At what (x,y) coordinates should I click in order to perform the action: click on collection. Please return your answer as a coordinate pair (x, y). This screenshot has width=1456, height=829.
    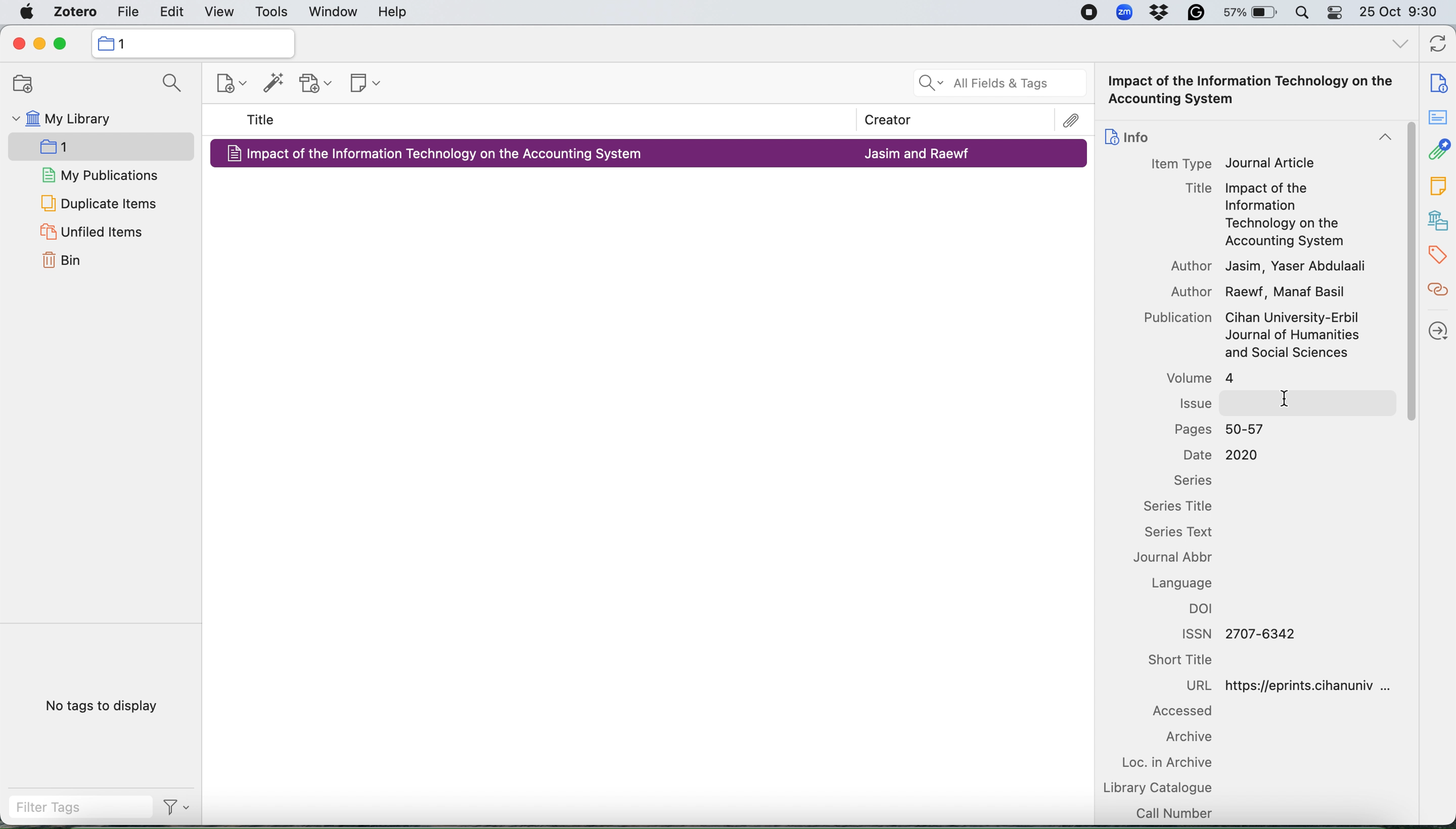
    Looking at the image, I should click on (77, 145).